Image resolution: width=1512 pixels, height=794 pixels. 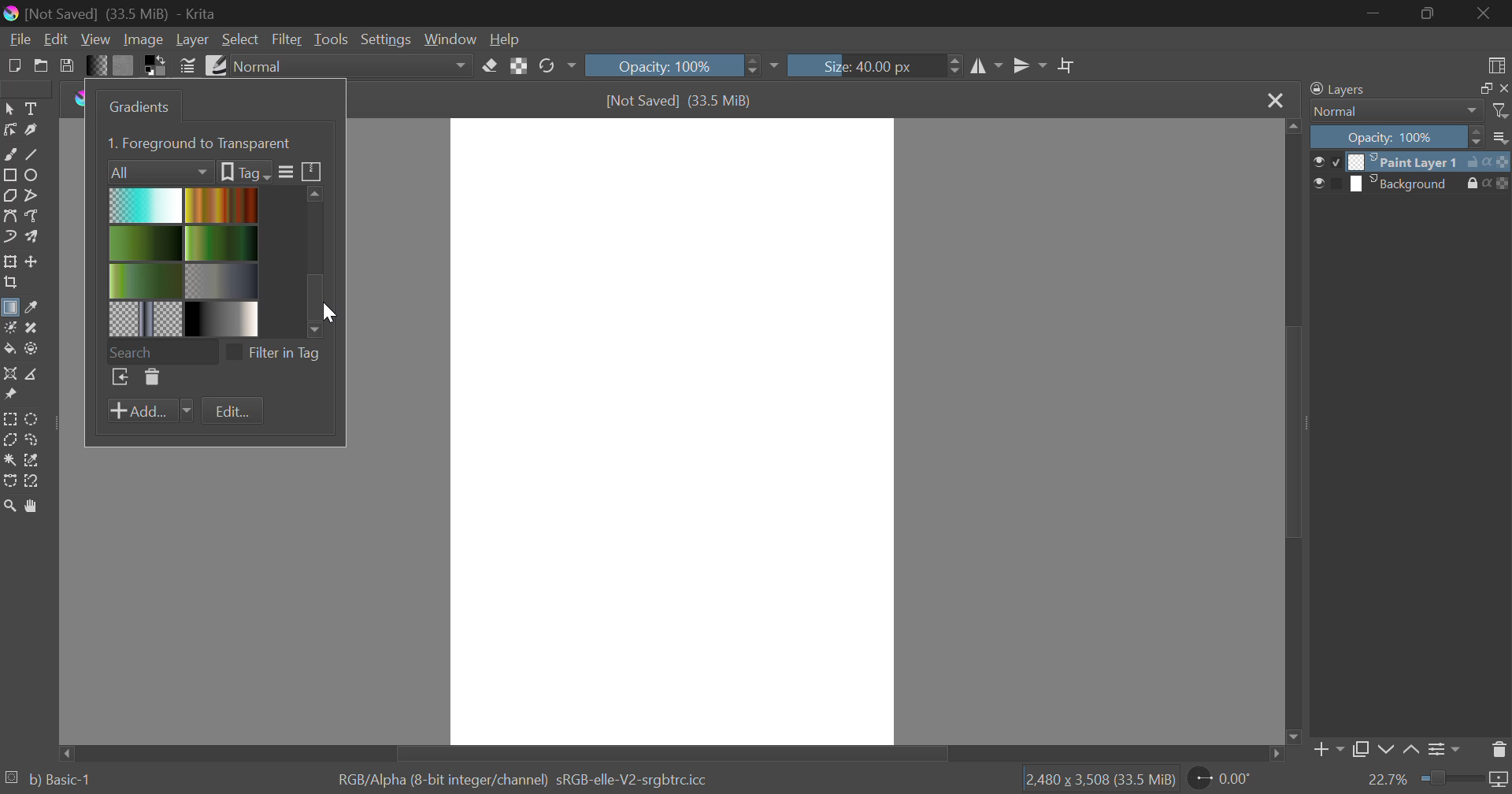 What do you see at coordinates (1430, 15) in the screenshot?
I see `Minimize` at bounding box center [1430, 15].